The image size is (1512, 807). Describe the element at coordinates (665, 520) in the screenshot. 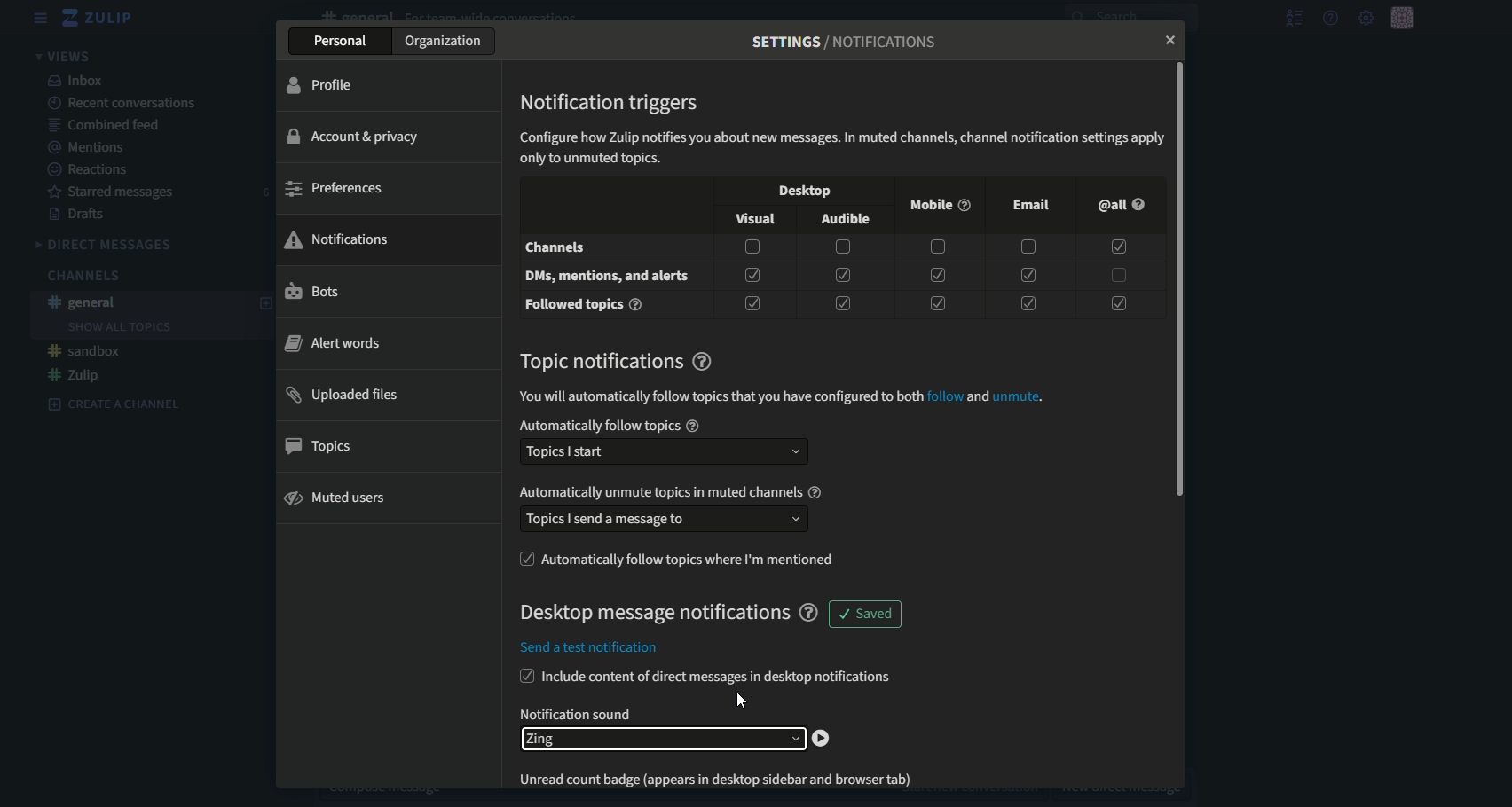

I see `text box` at that location.